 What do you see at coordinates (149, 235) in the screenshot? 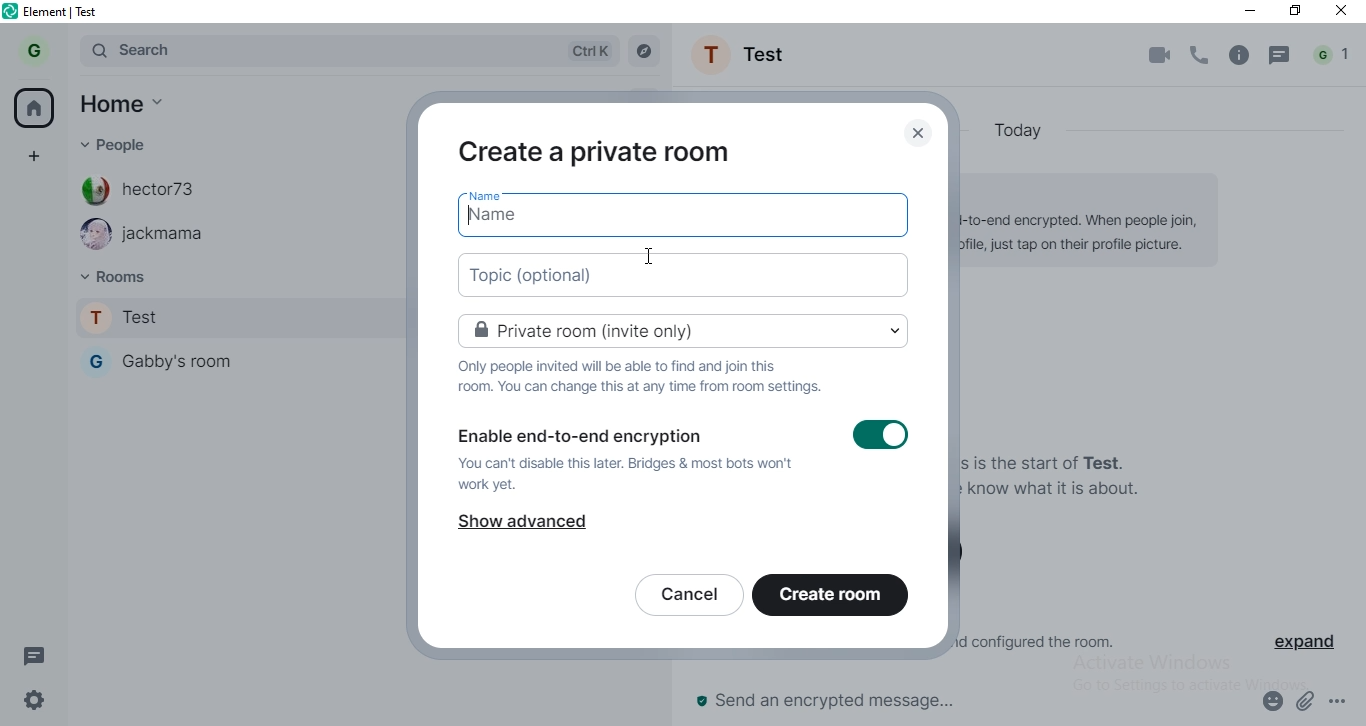
I see `jackmama` at bounding box center [149, 235].